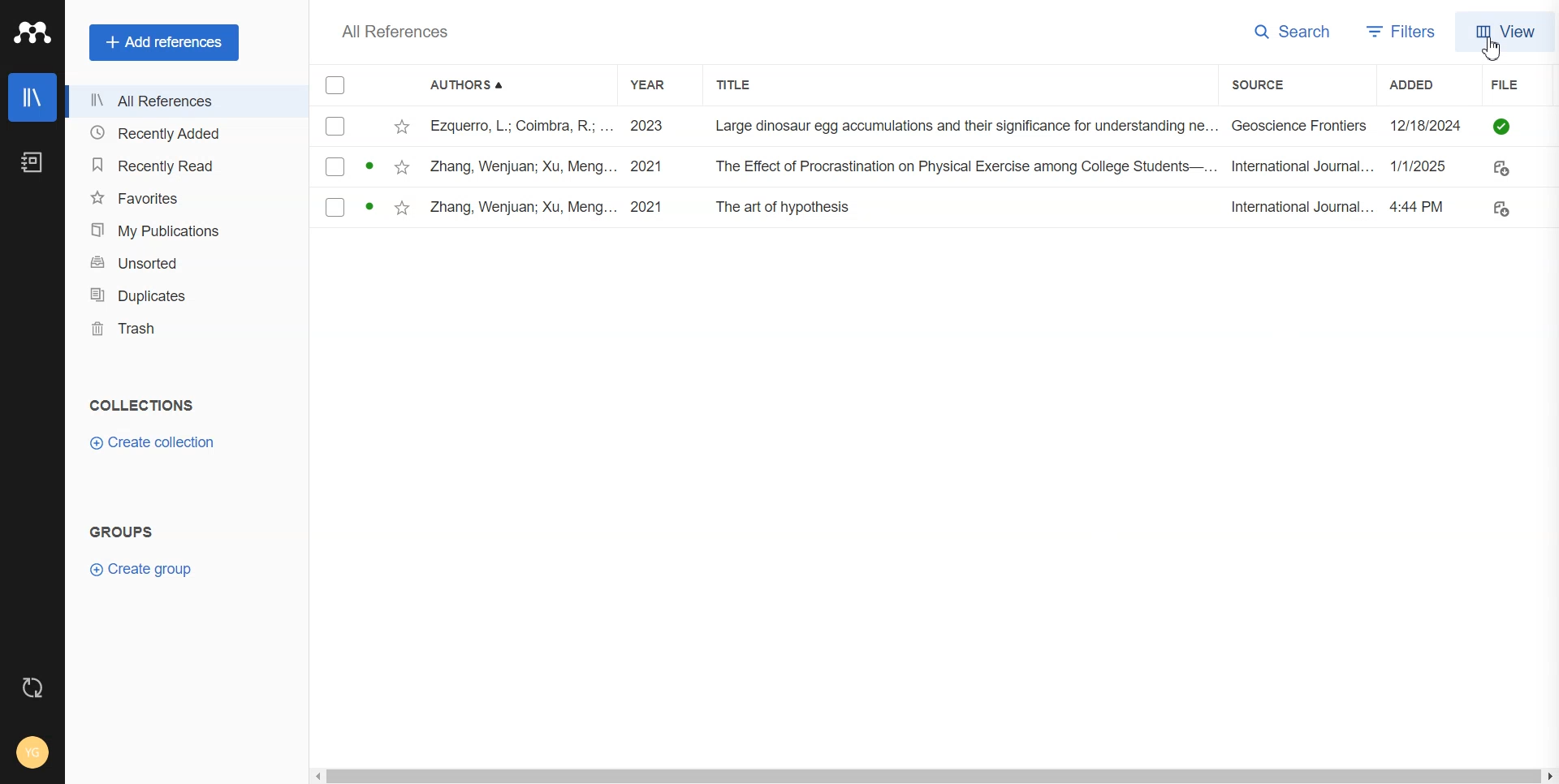 The height and width of the screenshot is (784, 1559). What do you see at coordinates (1404, 31) in the screenshot?
I see `Filters` at bounding box center [1404, 31].